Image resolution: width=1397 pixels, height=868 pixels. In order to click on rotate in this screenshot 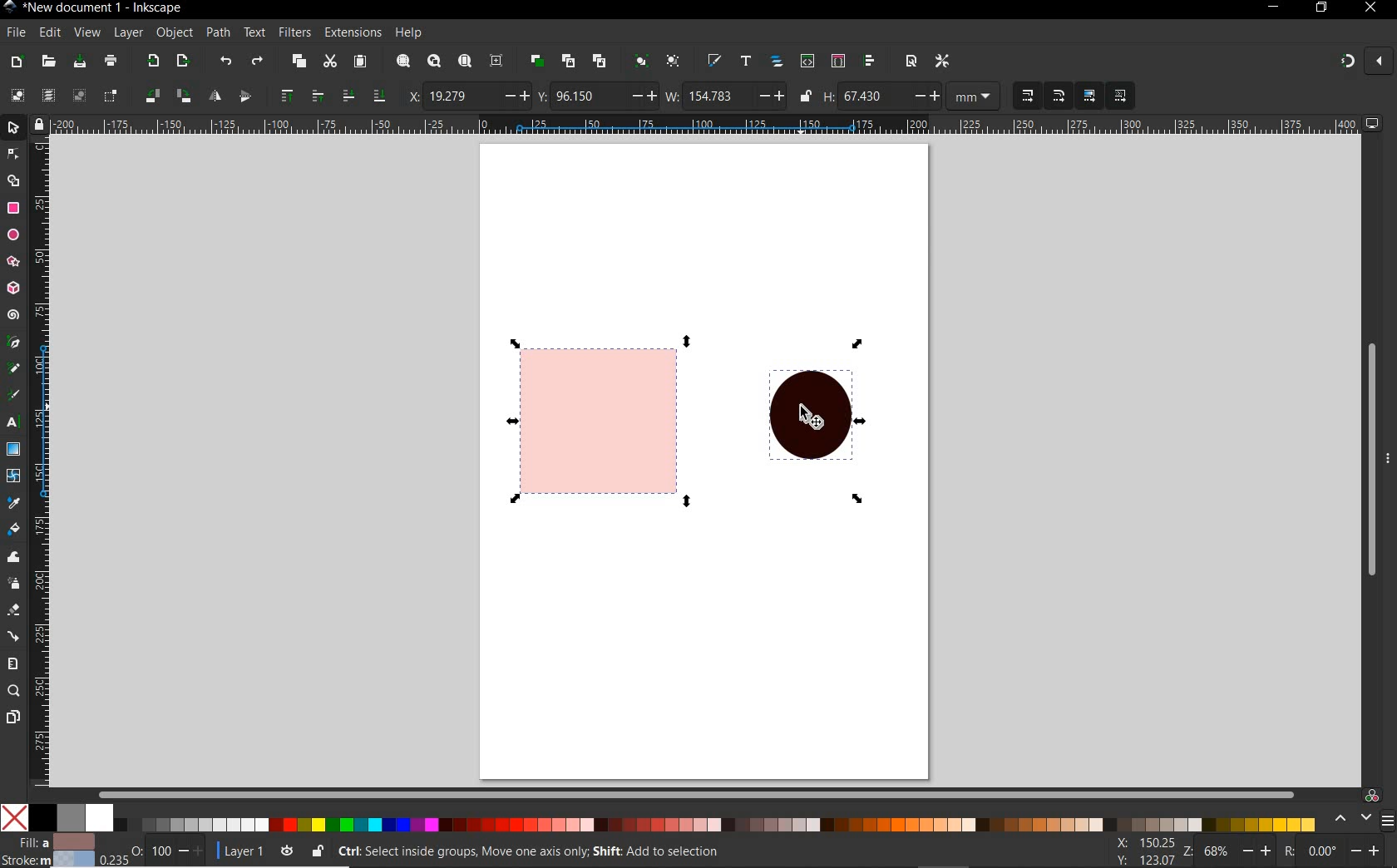, I will do `click(1339, 852)`.